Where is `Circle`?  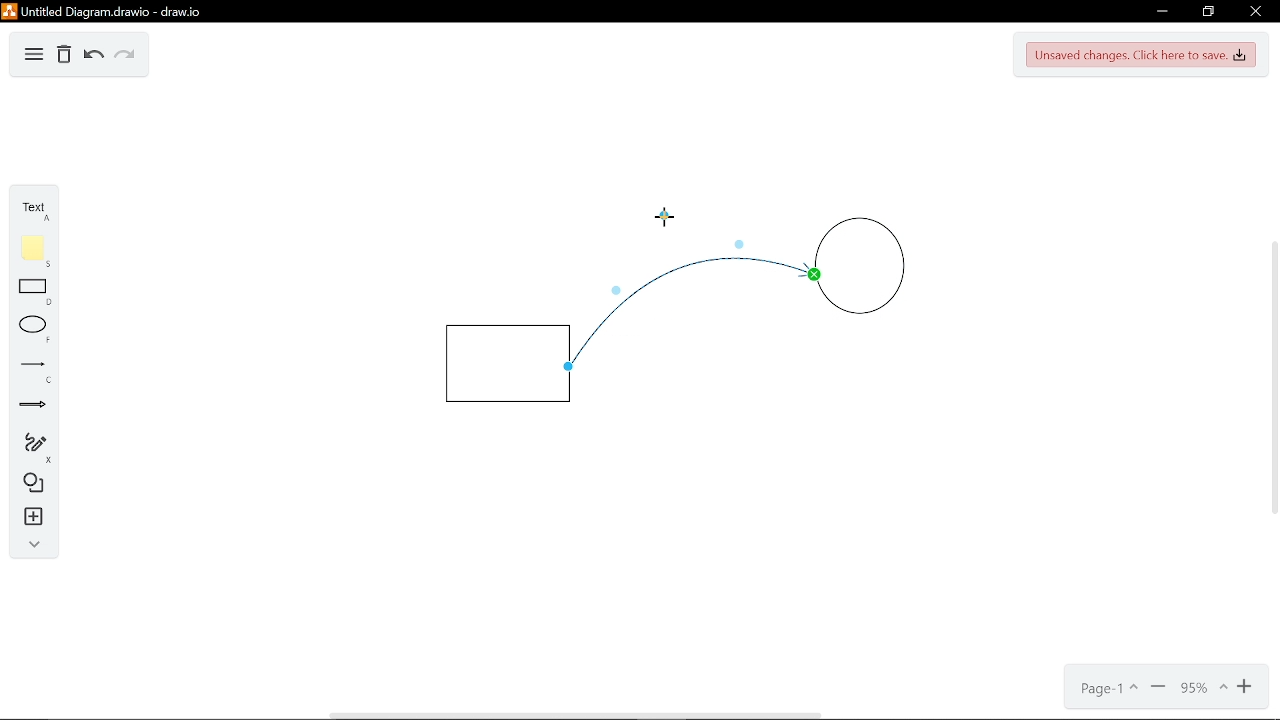
Circle is located at coordinates (860, 273).